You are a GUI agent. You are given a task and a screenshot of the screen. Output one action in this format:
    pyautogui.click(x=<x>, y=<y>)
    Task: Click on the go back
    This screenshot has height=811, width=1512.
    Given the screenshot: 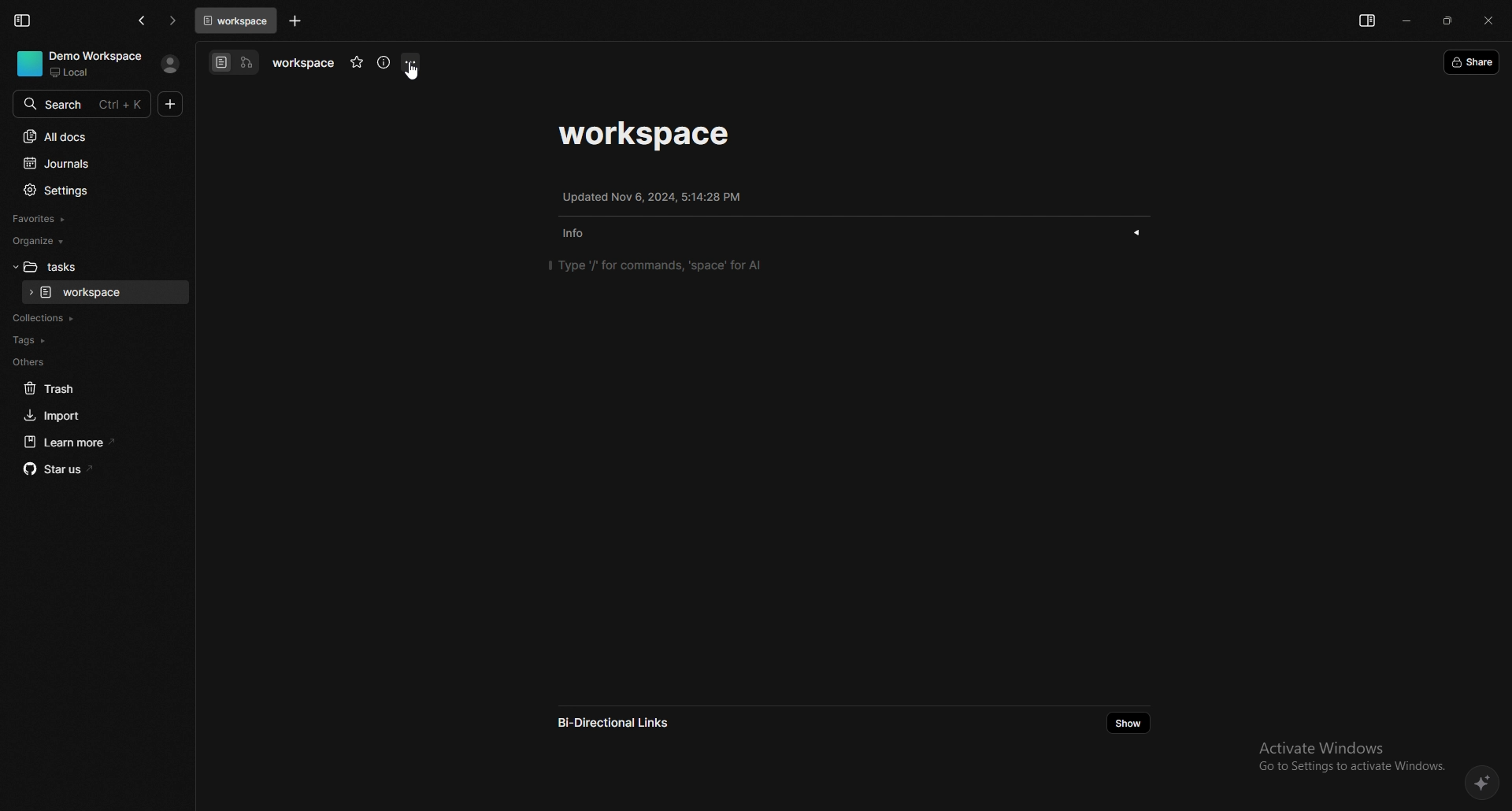 What is the action you would take?
    pyautogui.click(x=143, y=20)
    